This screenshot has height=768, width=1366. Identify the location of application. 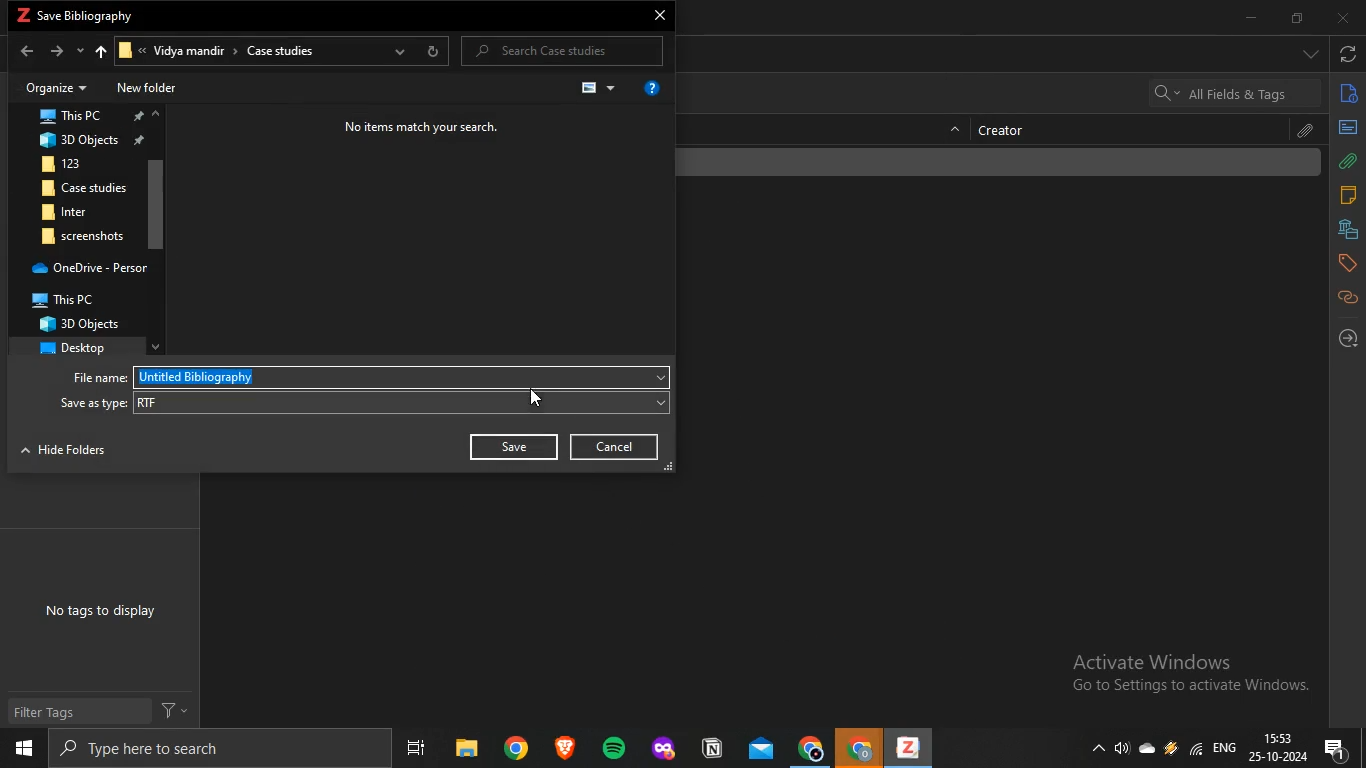
(715, 749).